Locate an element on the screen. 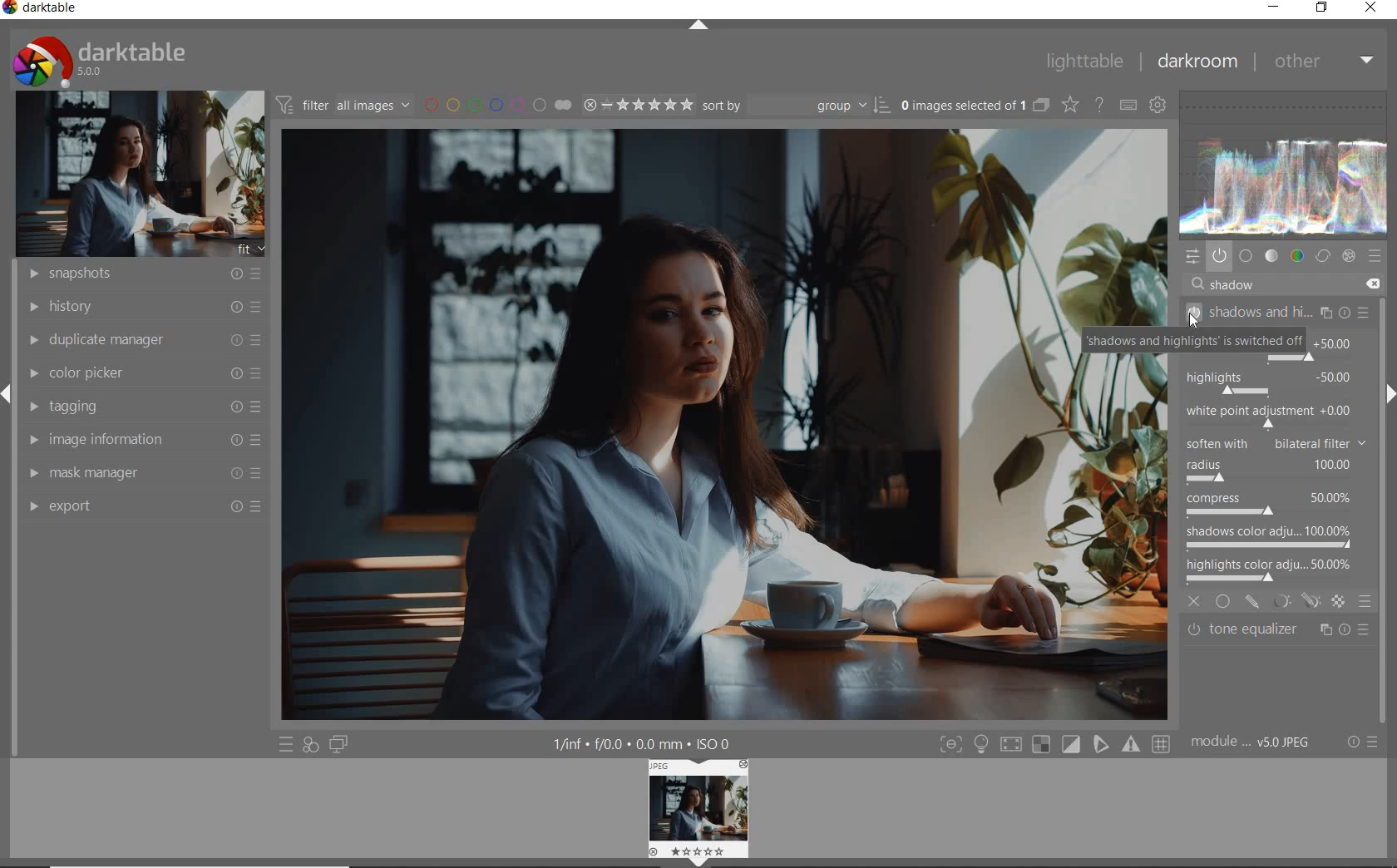 This screenshot has width=1397, height=868. white point adjustment is located at coordinates (1267, 416).